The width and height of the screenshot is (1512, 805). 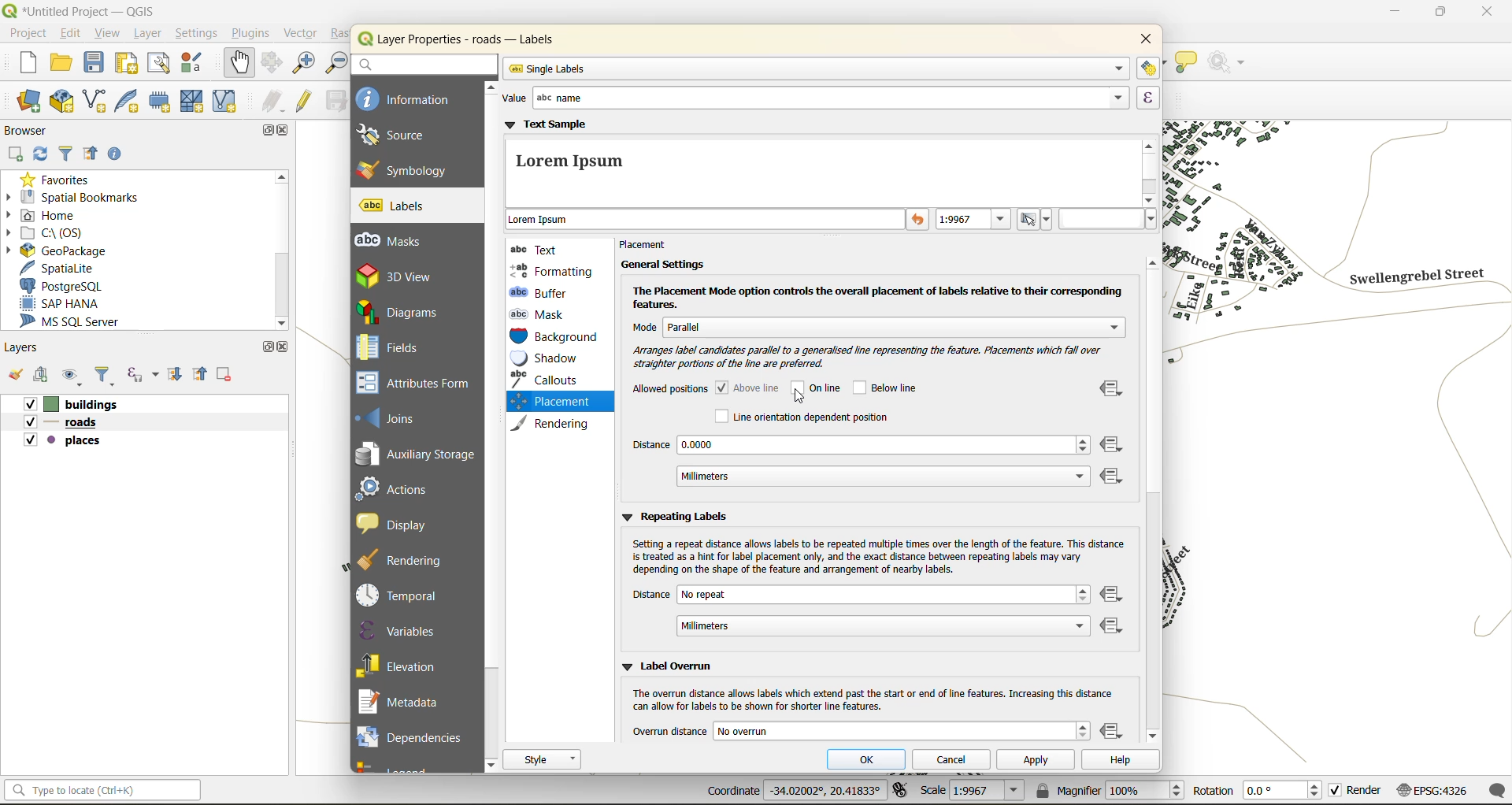 I want to click on line orientation dependent position, so click(x=800, y=417).